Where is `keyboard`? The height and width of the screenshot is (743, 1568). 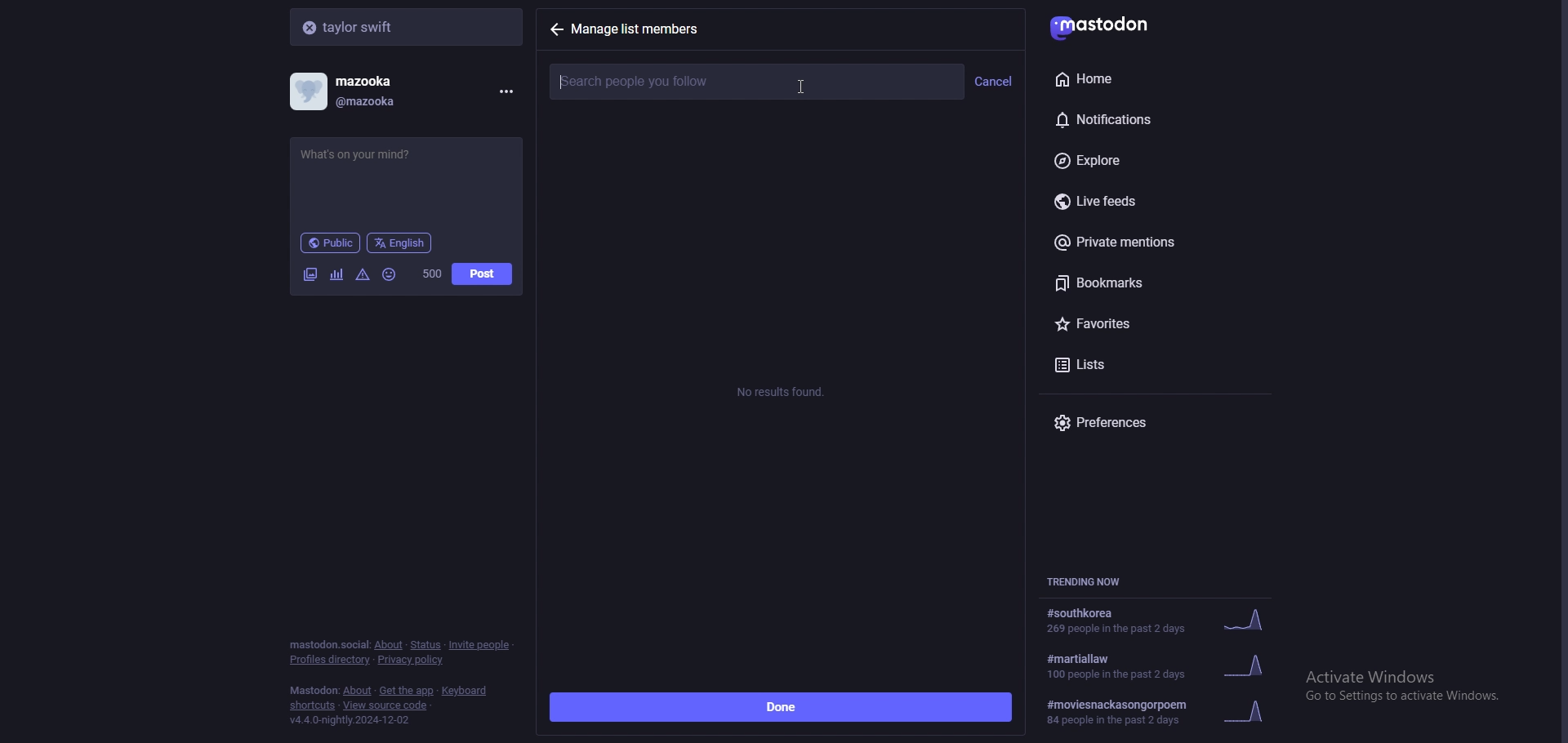 keyboard is located at coordinates (466, 691).